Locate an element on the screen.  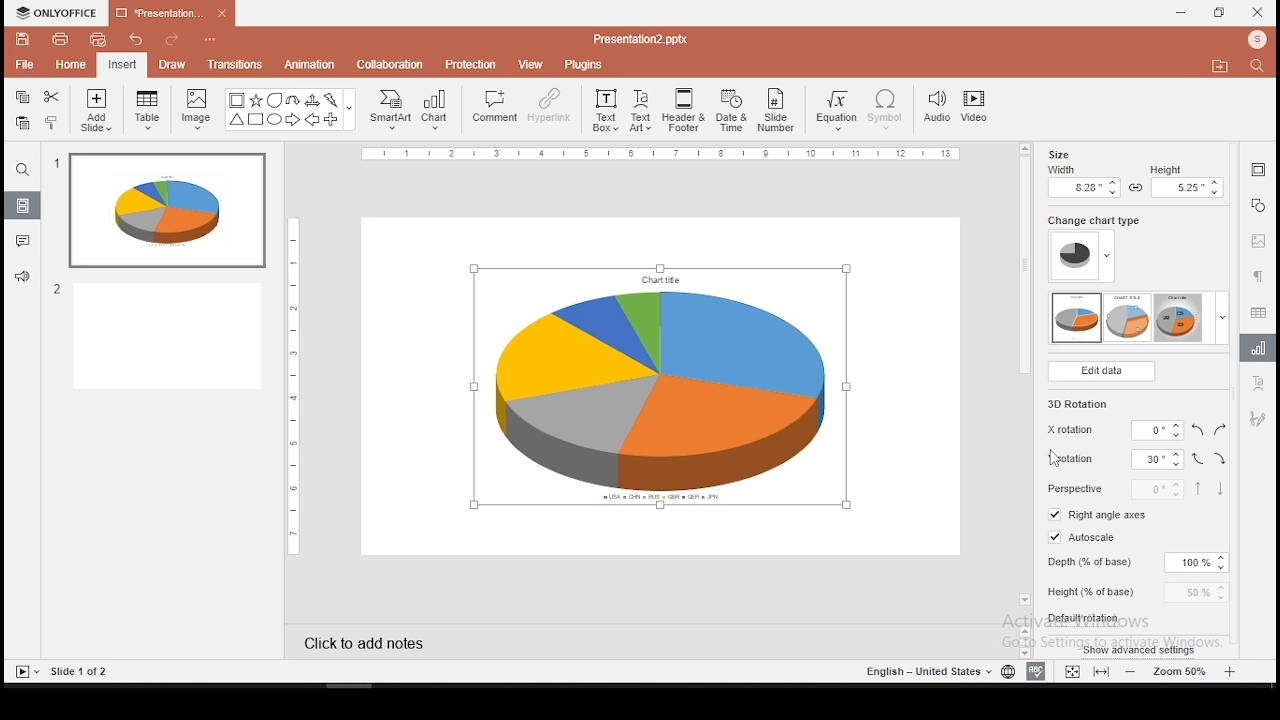
Shapes is located at coordinates (287, 112).